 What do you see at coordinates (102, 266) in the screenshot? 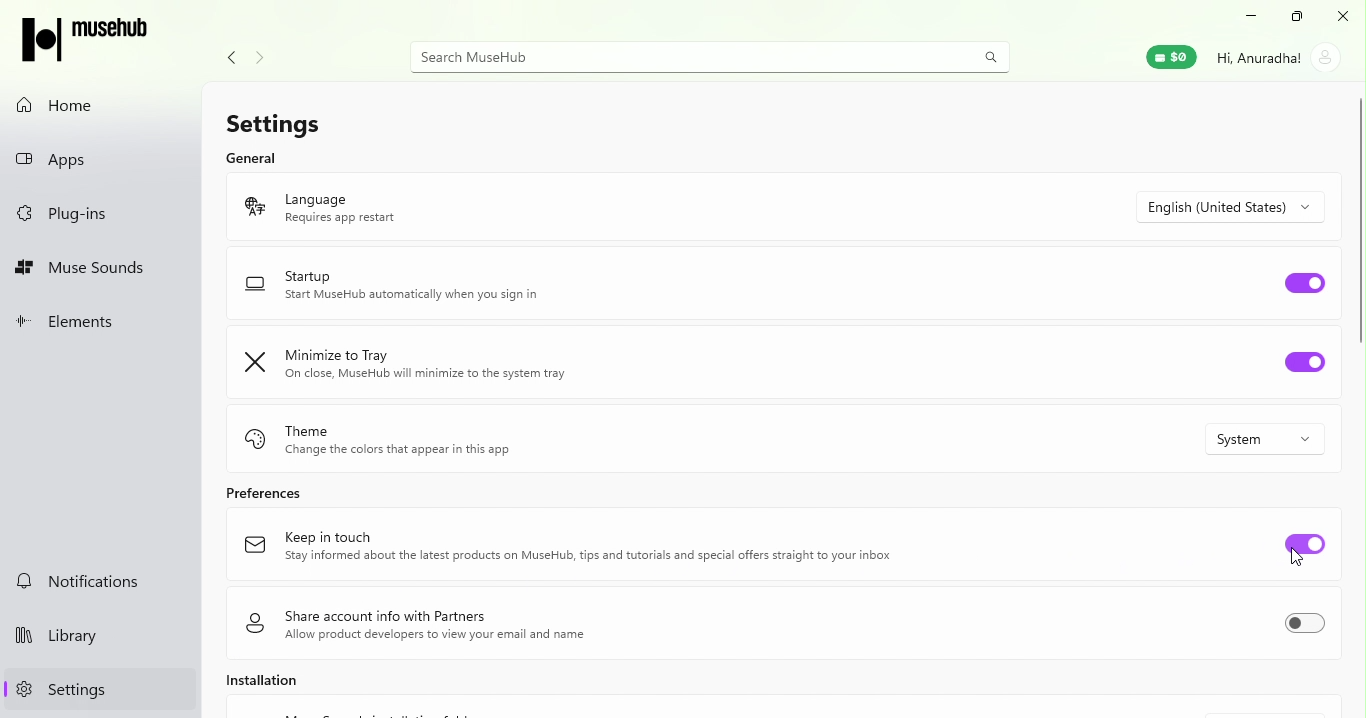
I see `Muse sounds` at bounding box center [102, 266].